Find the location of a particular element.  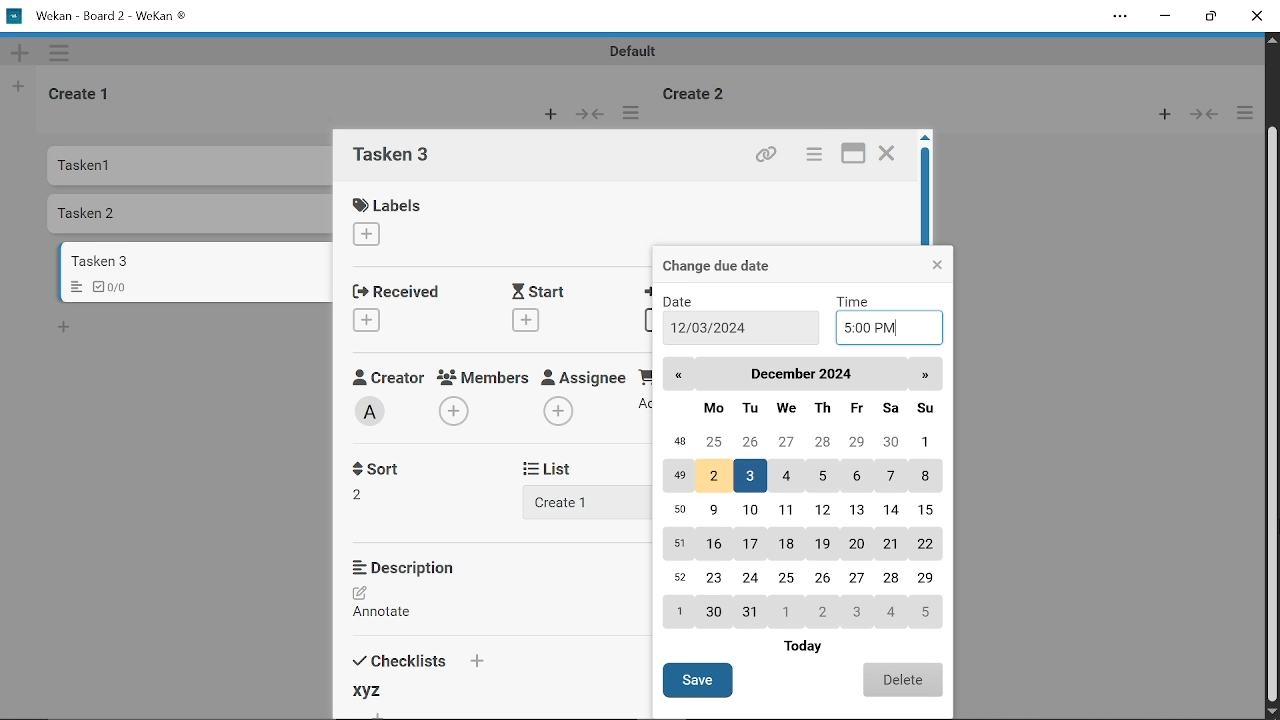

Wekan - Board 2 -WeKan is located at coordinates (100, 15).